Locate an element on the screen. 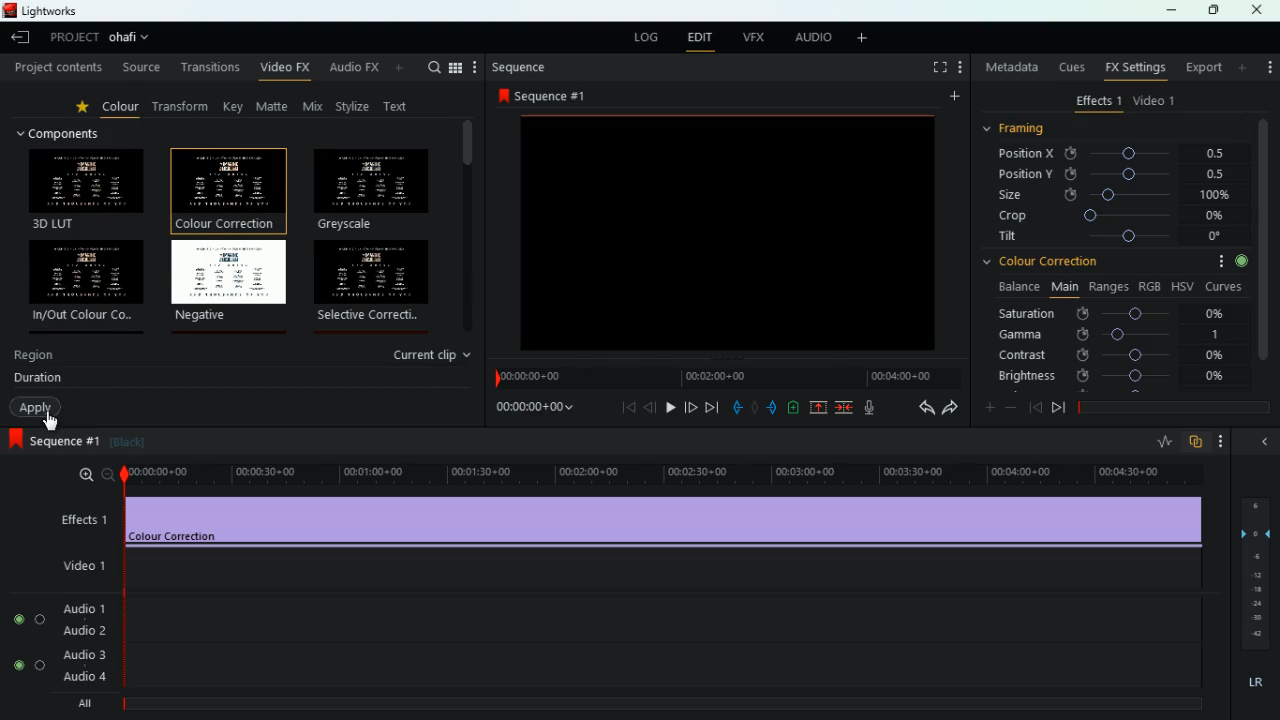 The width and height of the screenshot is (1280, 720). sequence is located at coordinates (549, 96).